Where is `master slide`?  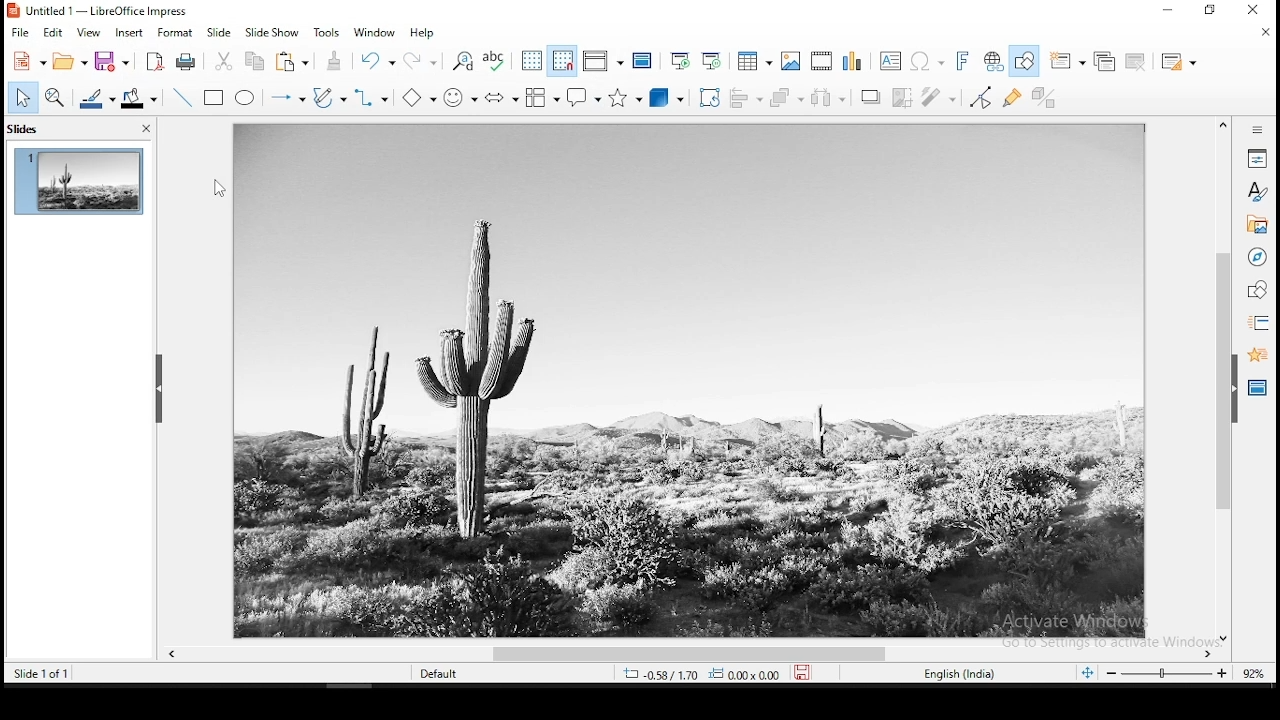 master slide is located at coordinates (643, 58).